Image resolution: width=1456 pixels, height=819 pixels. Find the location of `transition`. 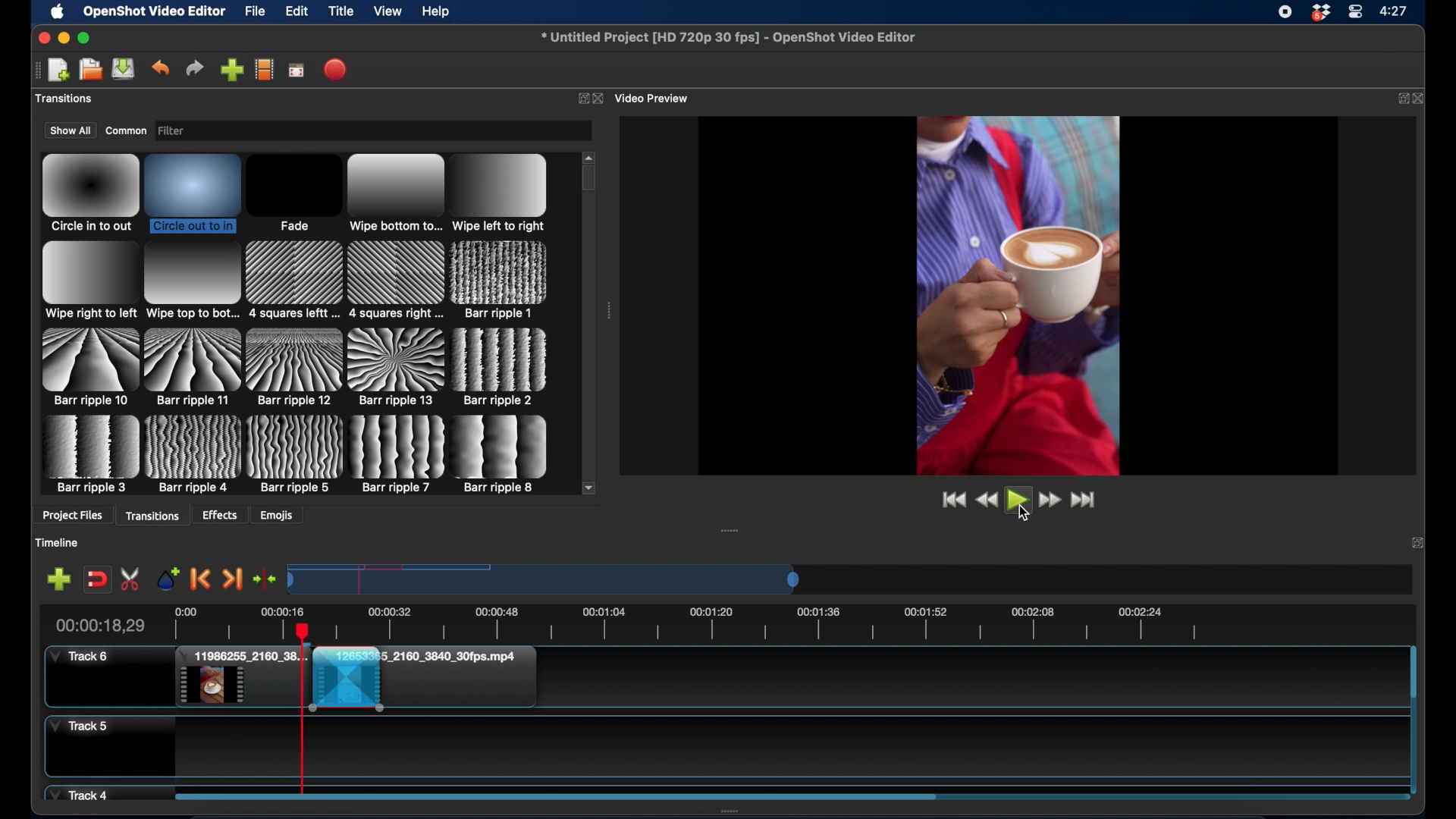

transition is located at coordinates (294, 368).